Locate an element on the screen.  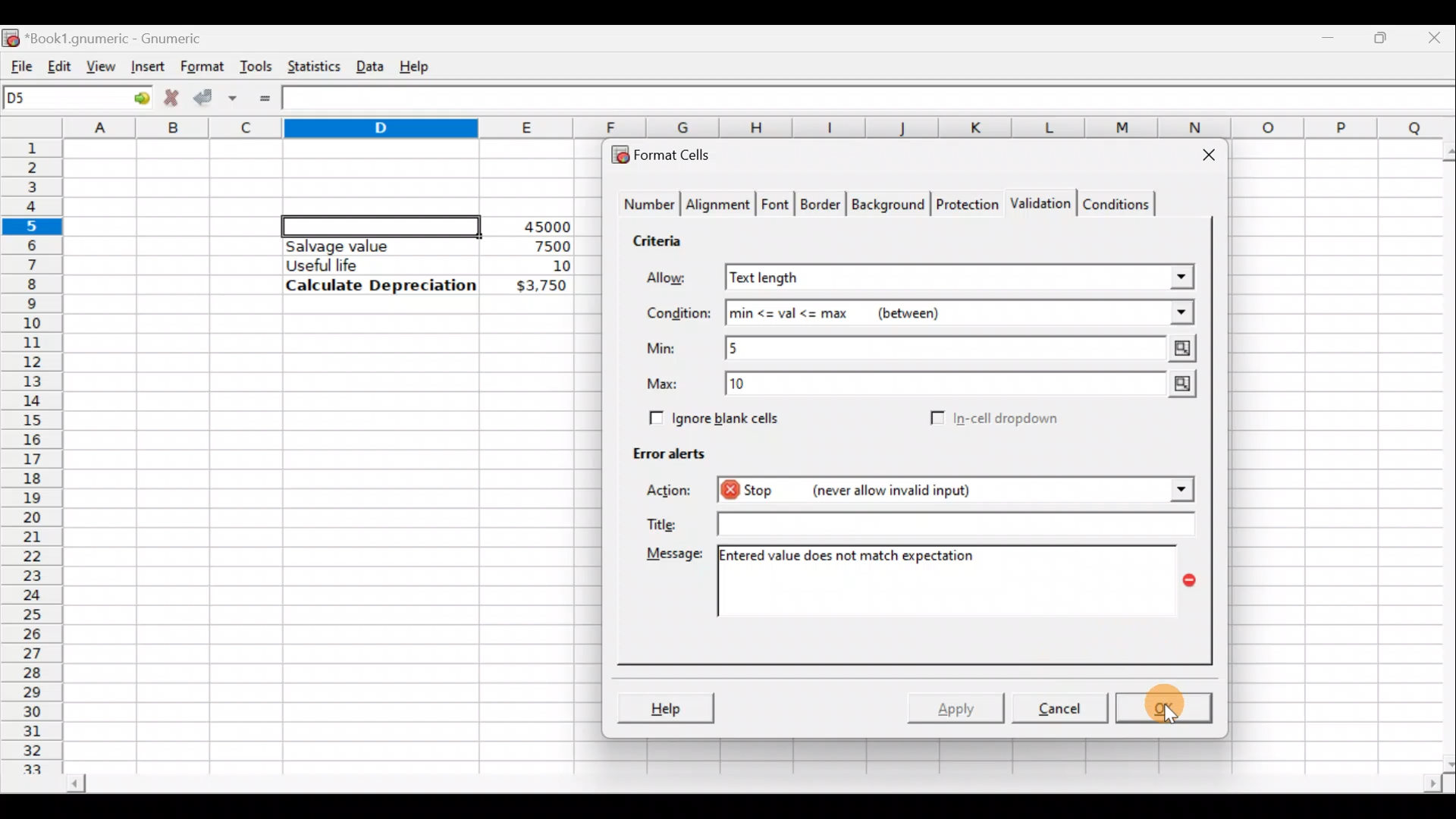
Border is located at coordinates (822, 208).